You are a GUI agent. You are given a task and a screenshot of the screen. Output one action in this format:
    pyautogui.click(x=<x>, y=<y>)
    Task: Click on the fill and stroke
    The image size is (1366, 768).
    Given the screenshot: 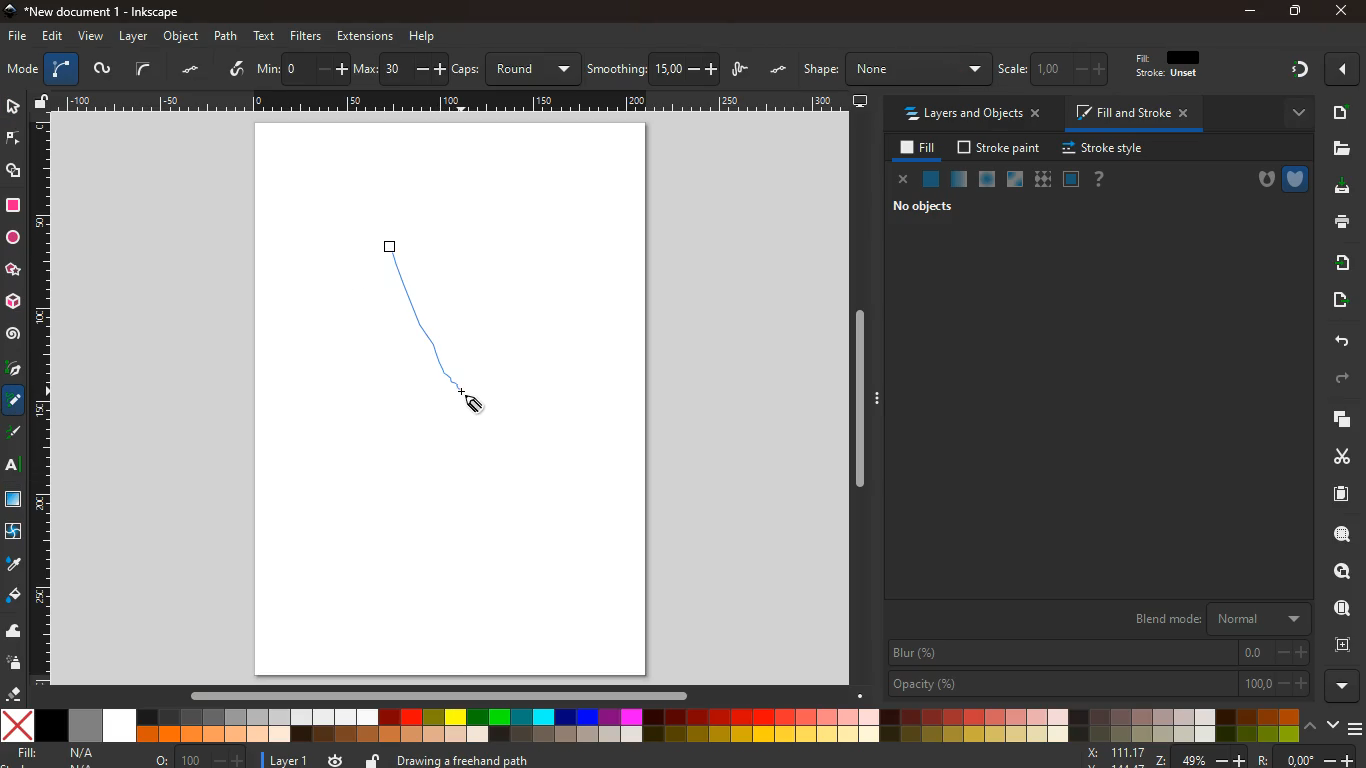 What is the action you would take?
    pyautogui.click(x=1135, y=112)
    